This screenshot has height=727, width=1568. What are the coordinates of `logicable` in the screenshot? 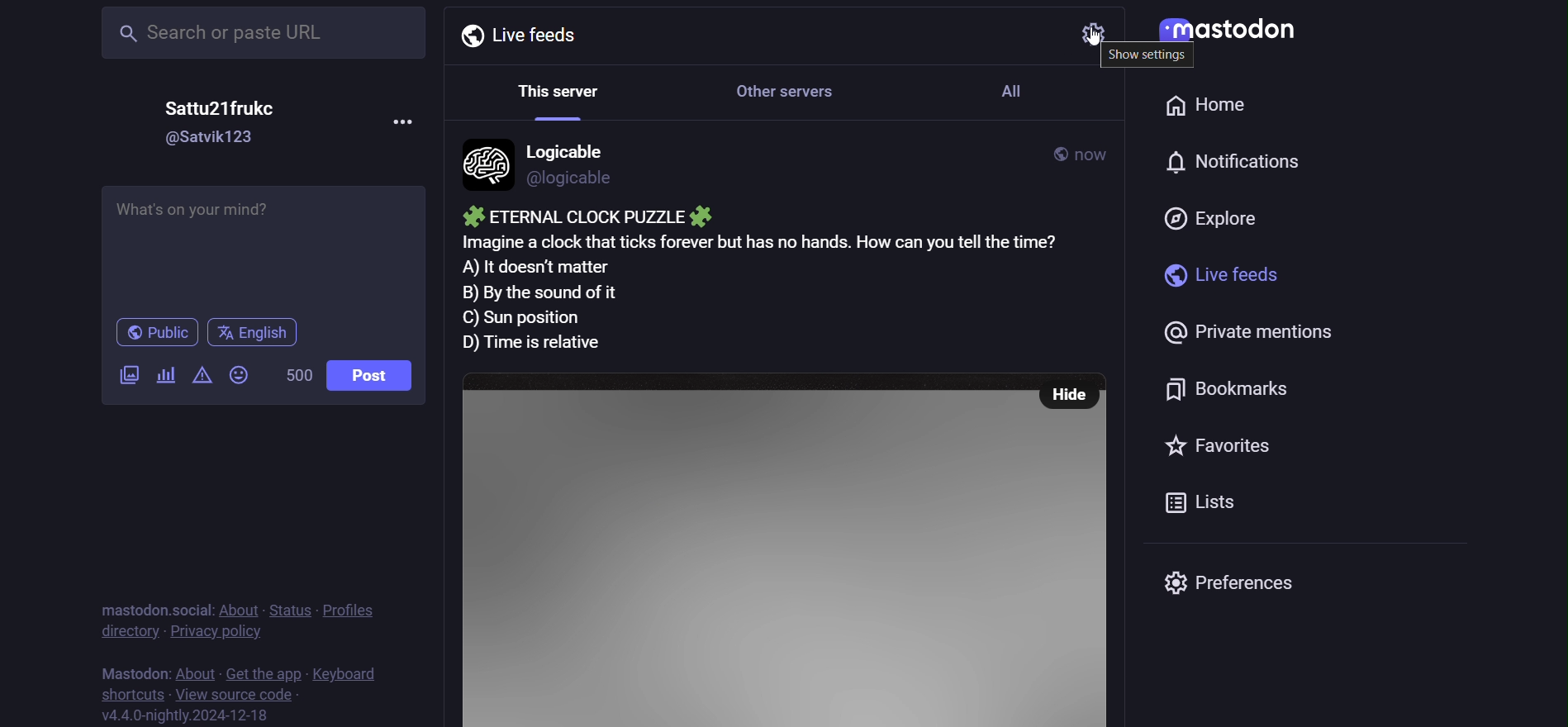 It's located at (573, 150).